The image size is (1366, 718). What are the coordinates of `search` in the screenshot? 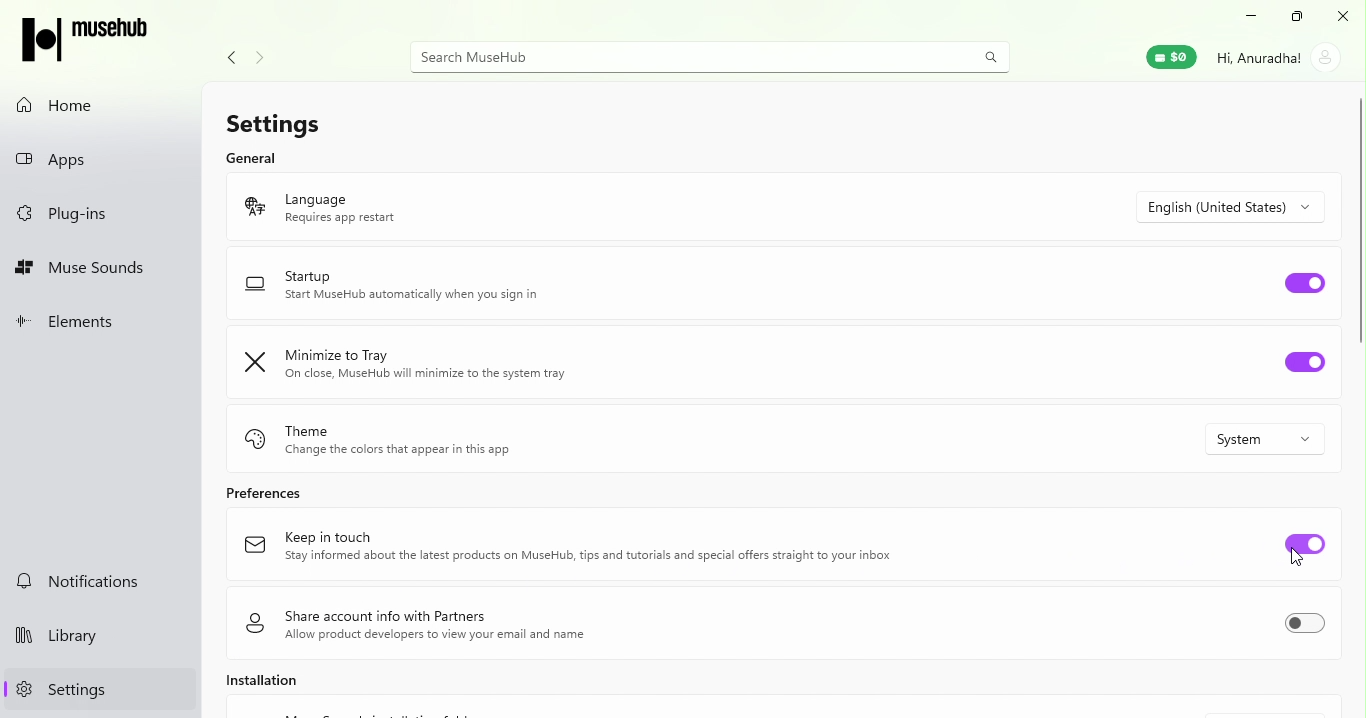 It's located at (992, 57).